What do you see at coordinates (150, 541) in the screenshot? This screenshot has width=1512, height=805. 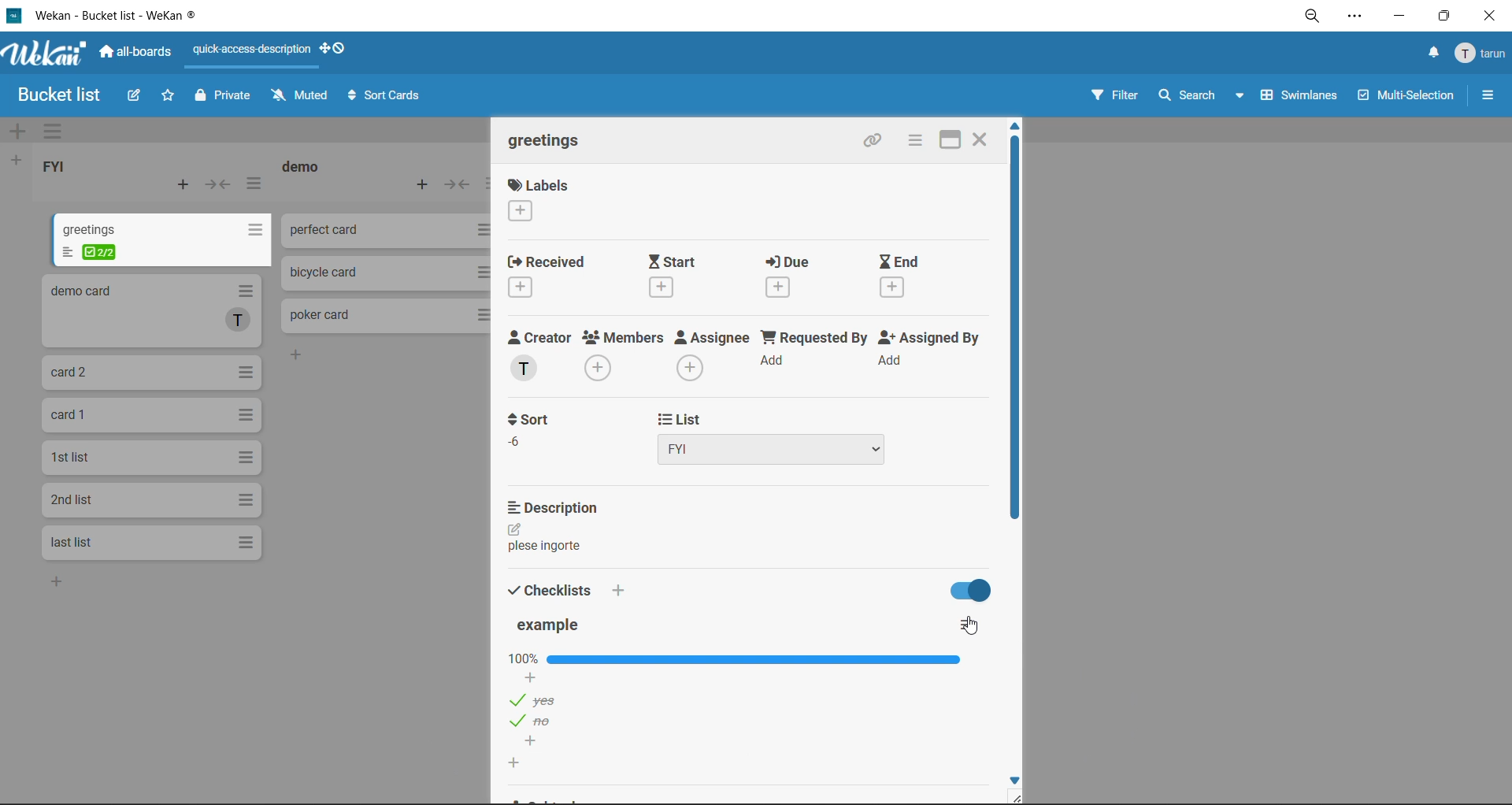 I see `cards` at bounding box center [150, 541].